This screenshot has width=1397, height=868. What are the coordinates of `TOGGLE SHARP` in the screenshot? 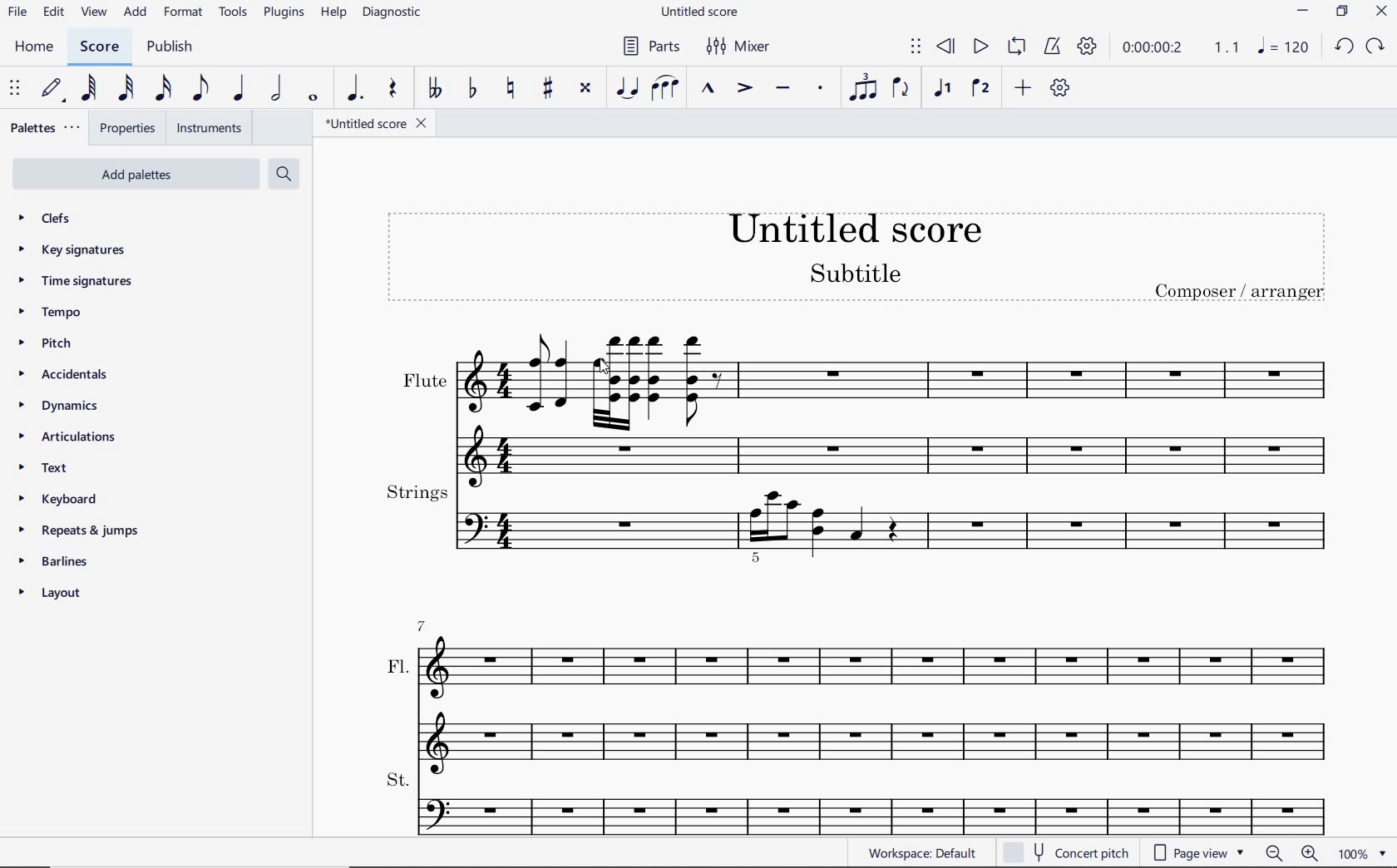 It's located at (545, 89).